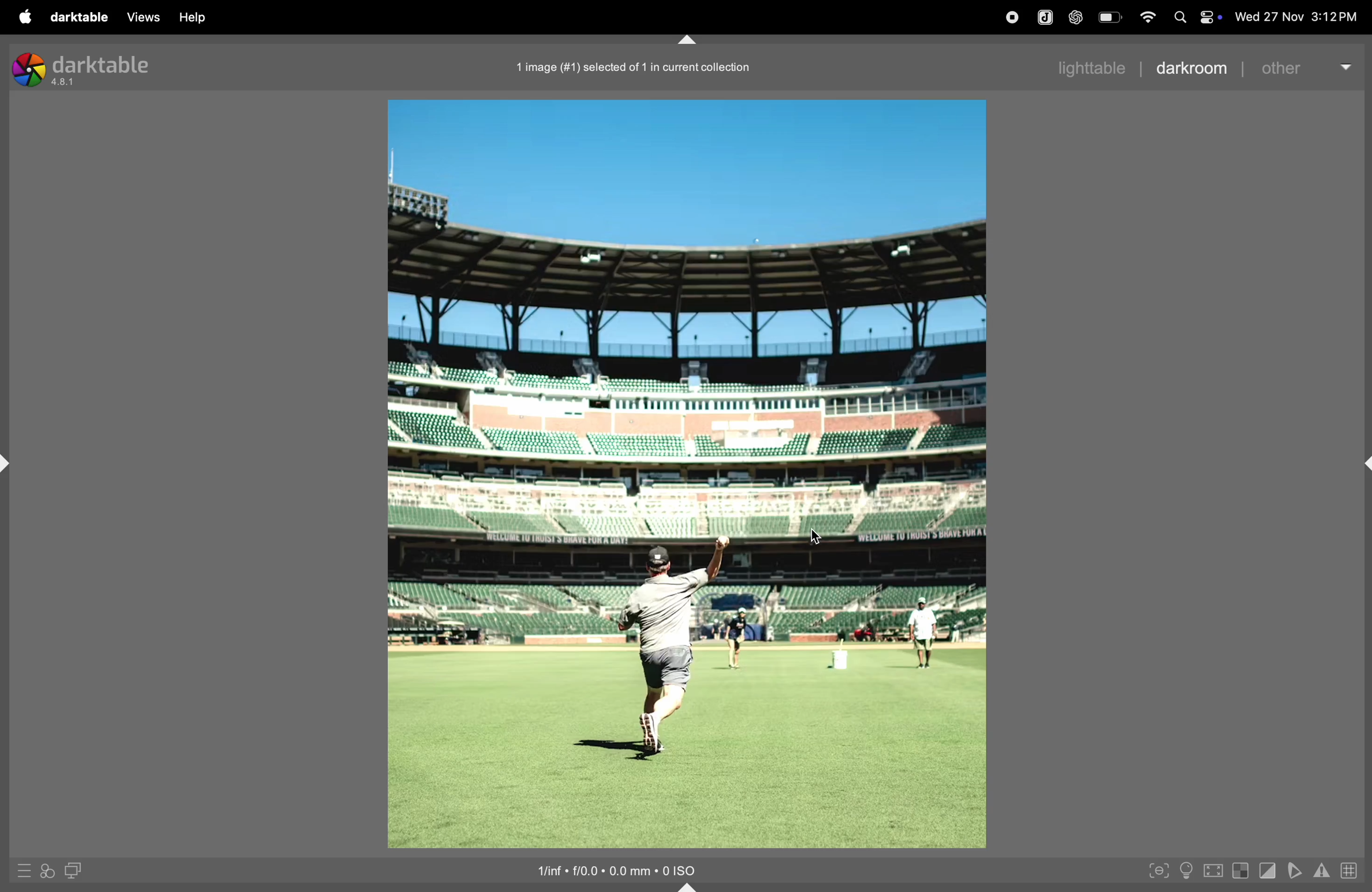 This screenshot has width=1372, height=892. Describe the element at coordinates (1322, 870) in the screenshot. I see `attention` at that location.